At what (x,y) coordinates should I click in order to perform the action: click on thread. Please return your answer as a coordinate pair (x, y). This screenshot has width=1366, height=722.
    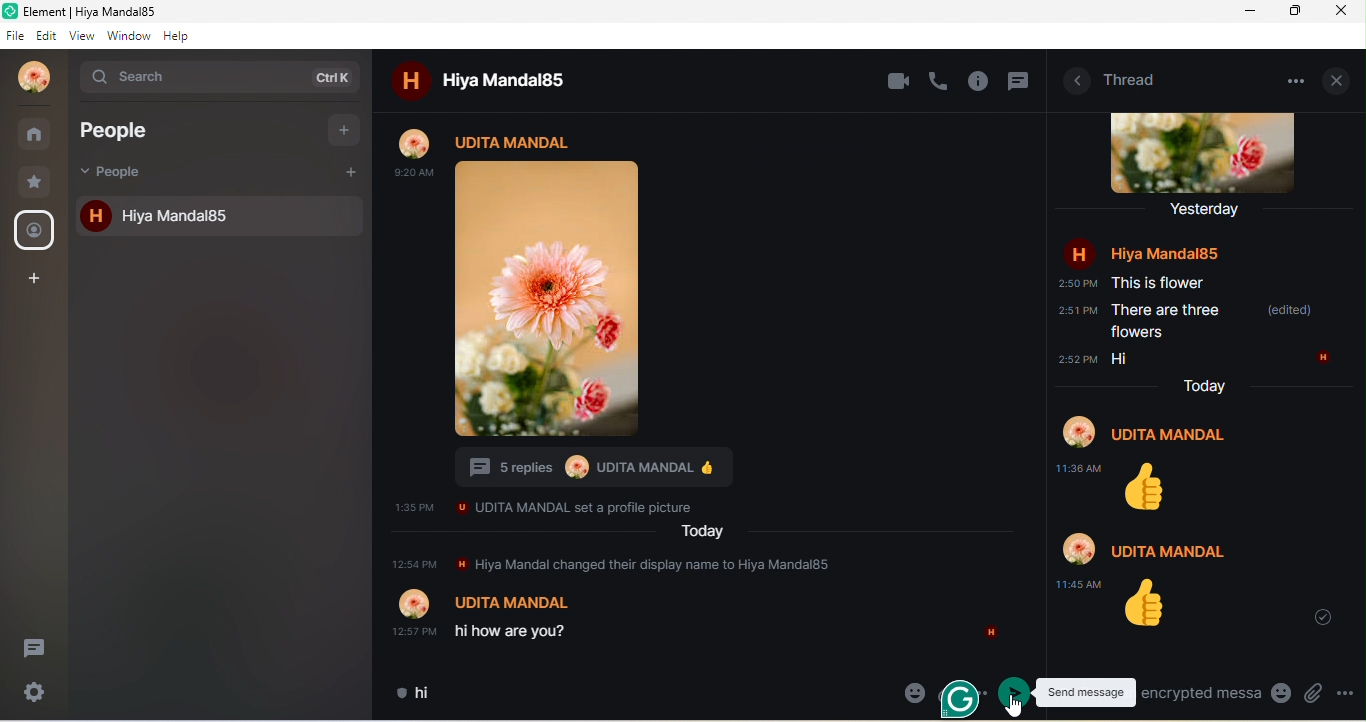
    Looking at the image, I should click on (1133, 79).